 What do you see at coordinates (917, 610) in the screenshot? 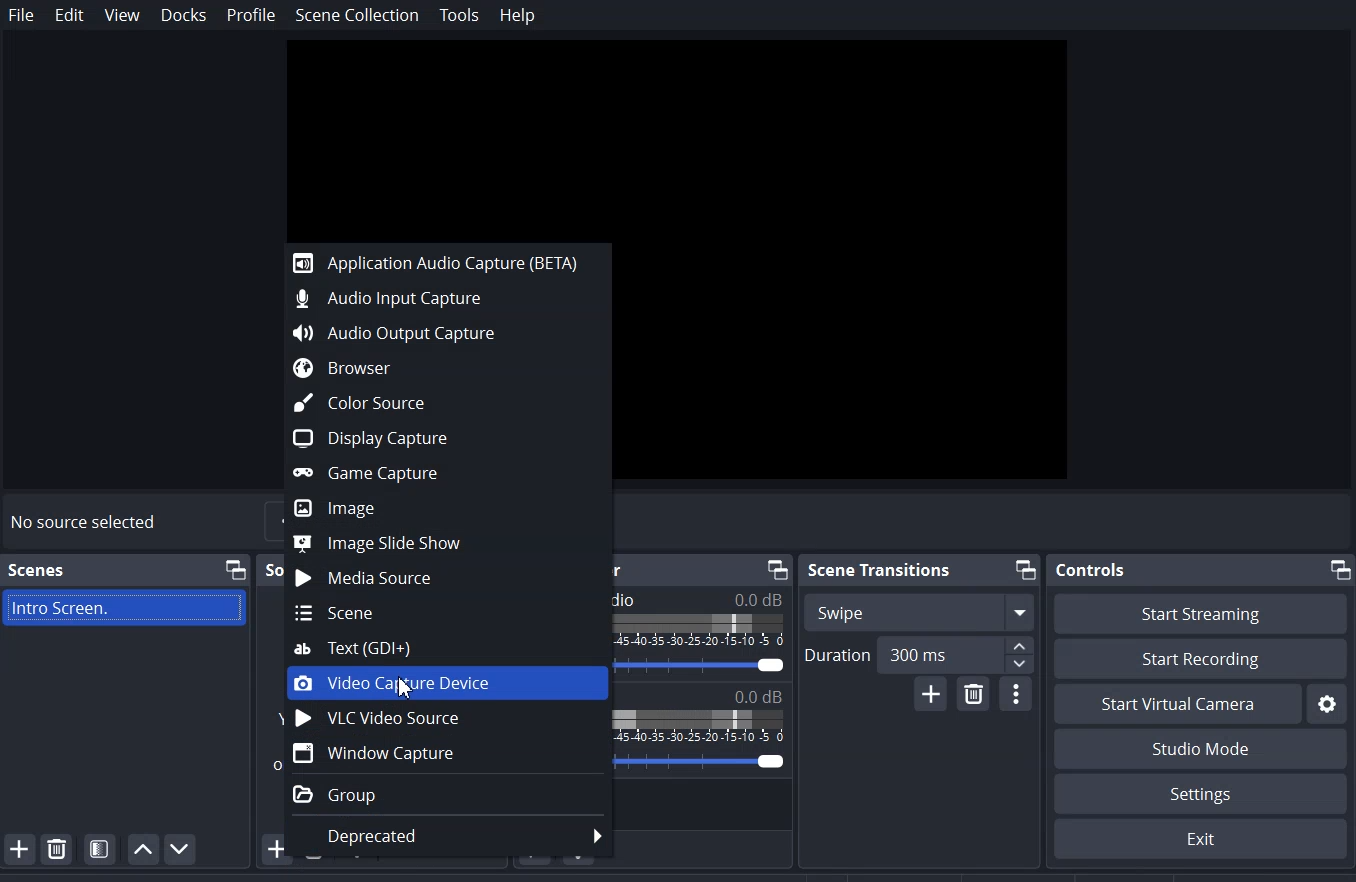
I see `Swipe` at bounding box center [917, 610].